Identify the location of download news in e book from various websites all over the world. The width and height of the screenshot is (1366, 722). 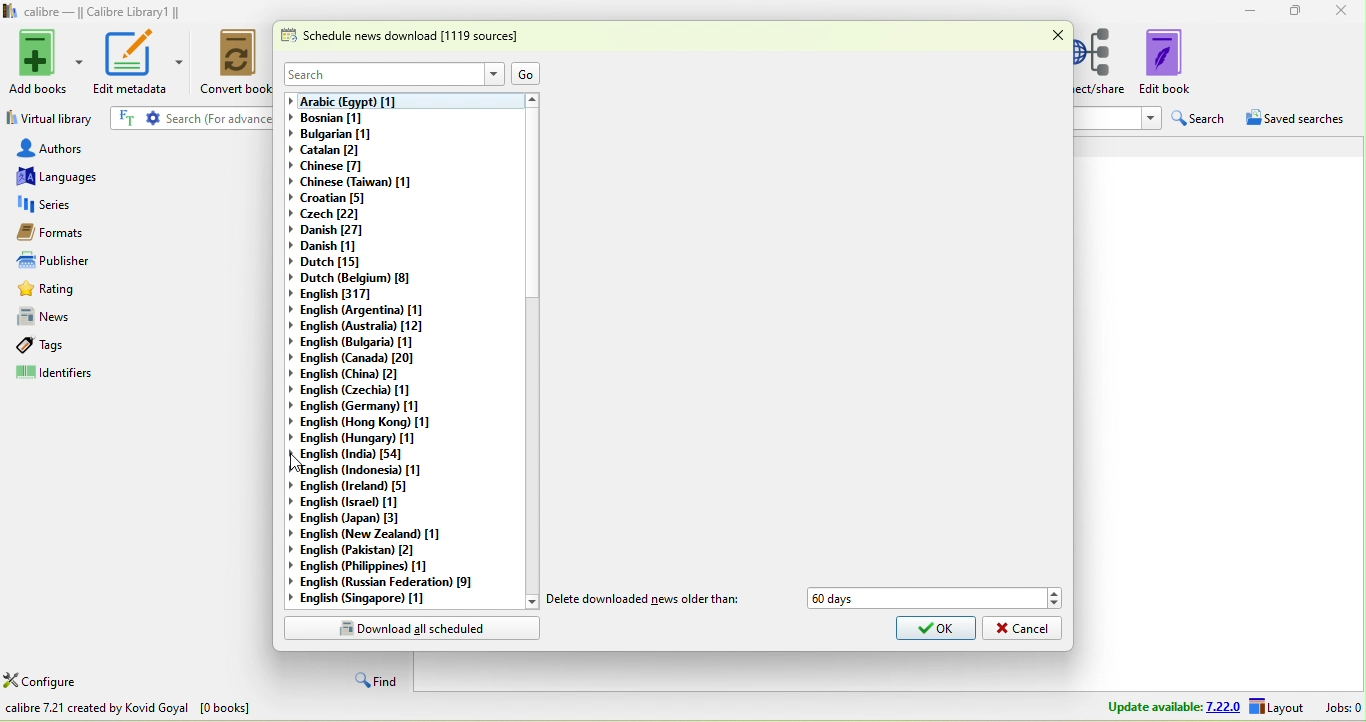
(201, 709).